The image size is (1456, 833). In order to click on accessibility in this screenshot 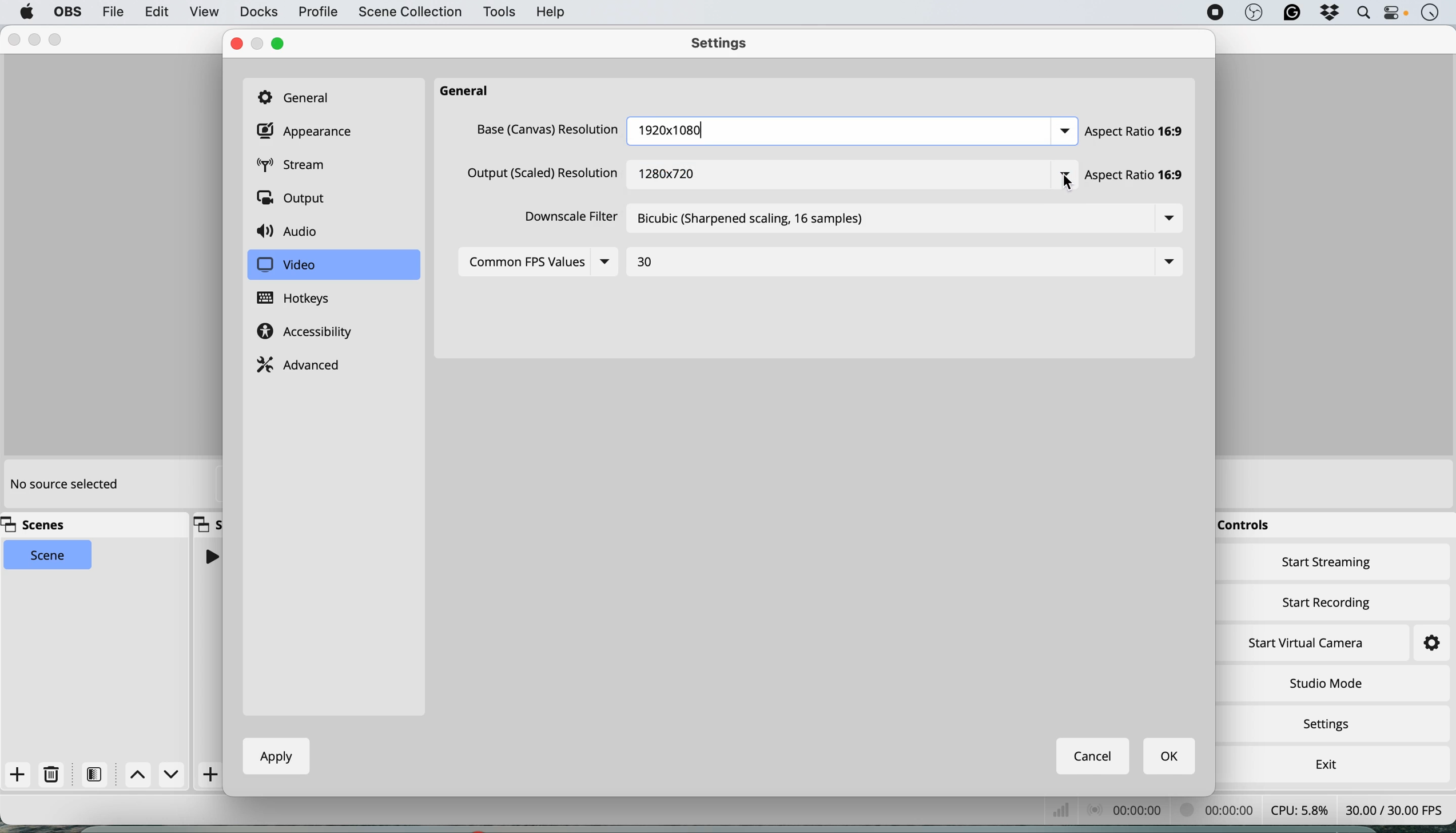, I will do `click(309, 333)`.